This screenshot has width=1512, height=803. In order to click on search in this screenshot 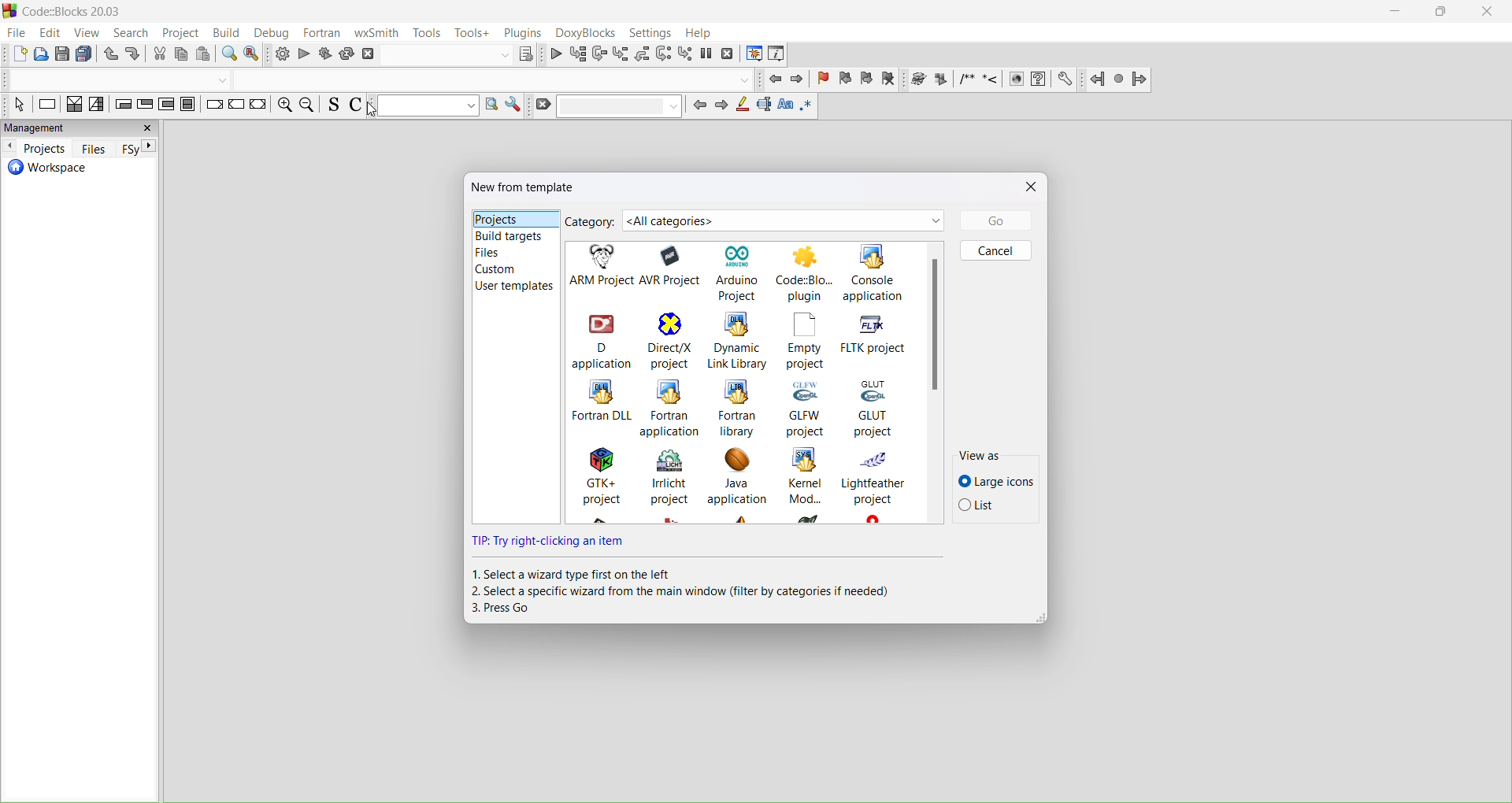, I will do `click(132, 34)`.